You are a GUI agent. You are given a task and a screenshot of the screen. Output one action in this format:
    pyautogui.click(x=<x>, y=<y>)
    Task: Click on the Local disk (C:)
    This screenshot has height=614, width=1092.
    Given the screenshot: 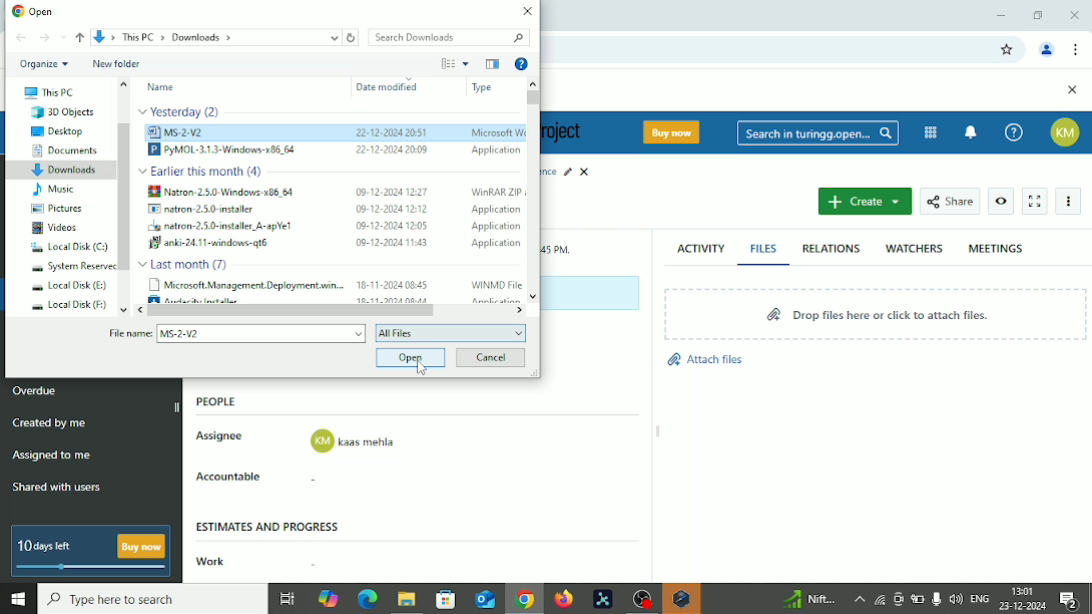 What is the action you would take?
    pyautogui.click(x=68, y=248)
    